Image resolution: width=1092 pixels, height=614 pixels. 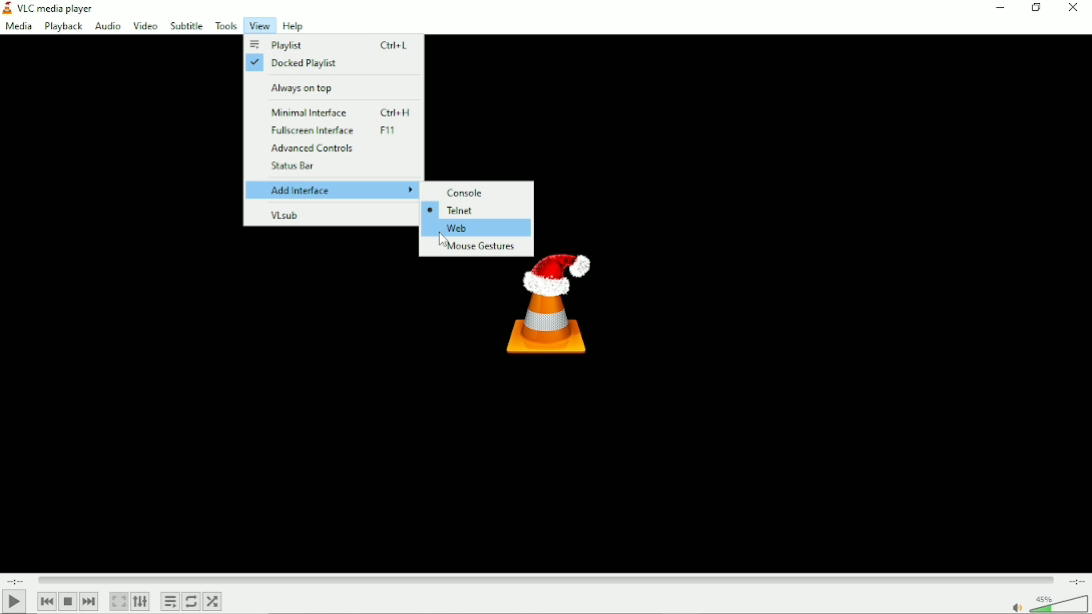 What do you see at coordinates (225, 26) in the screenshot?
I see `Tools` at bounding box center [225, 26].